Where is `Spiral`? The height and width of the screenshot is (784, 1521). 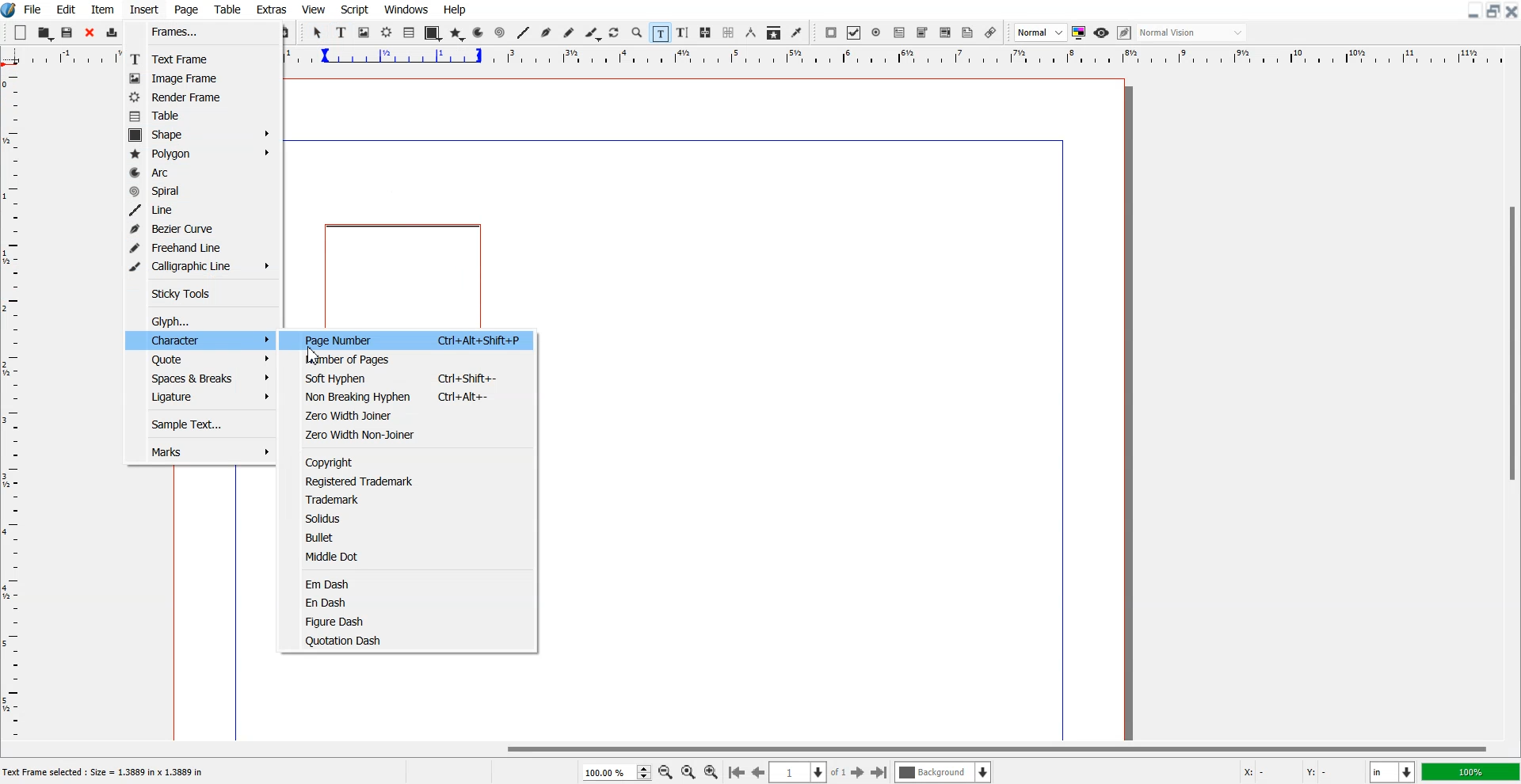 Spiral is located at coordinates (201, 189).